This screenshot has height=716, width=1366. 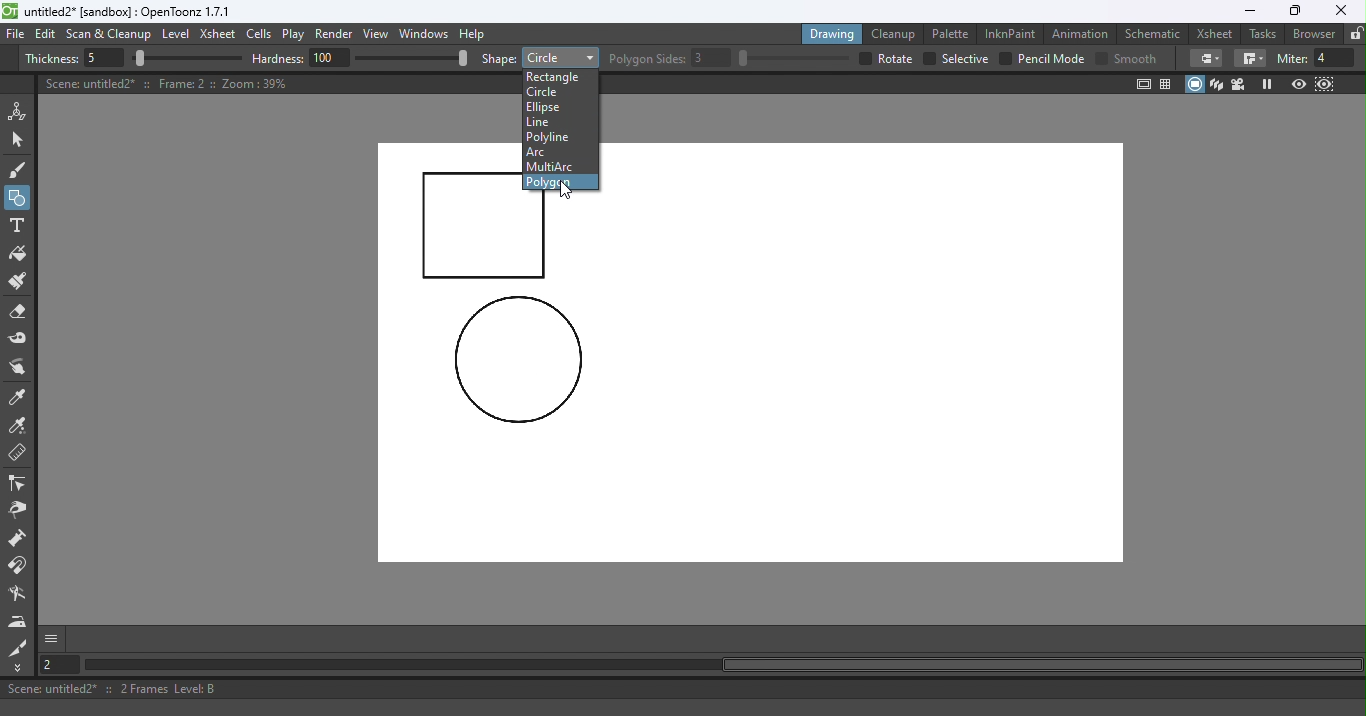 I want to click on Iron tool, so click(x=20, y=621).